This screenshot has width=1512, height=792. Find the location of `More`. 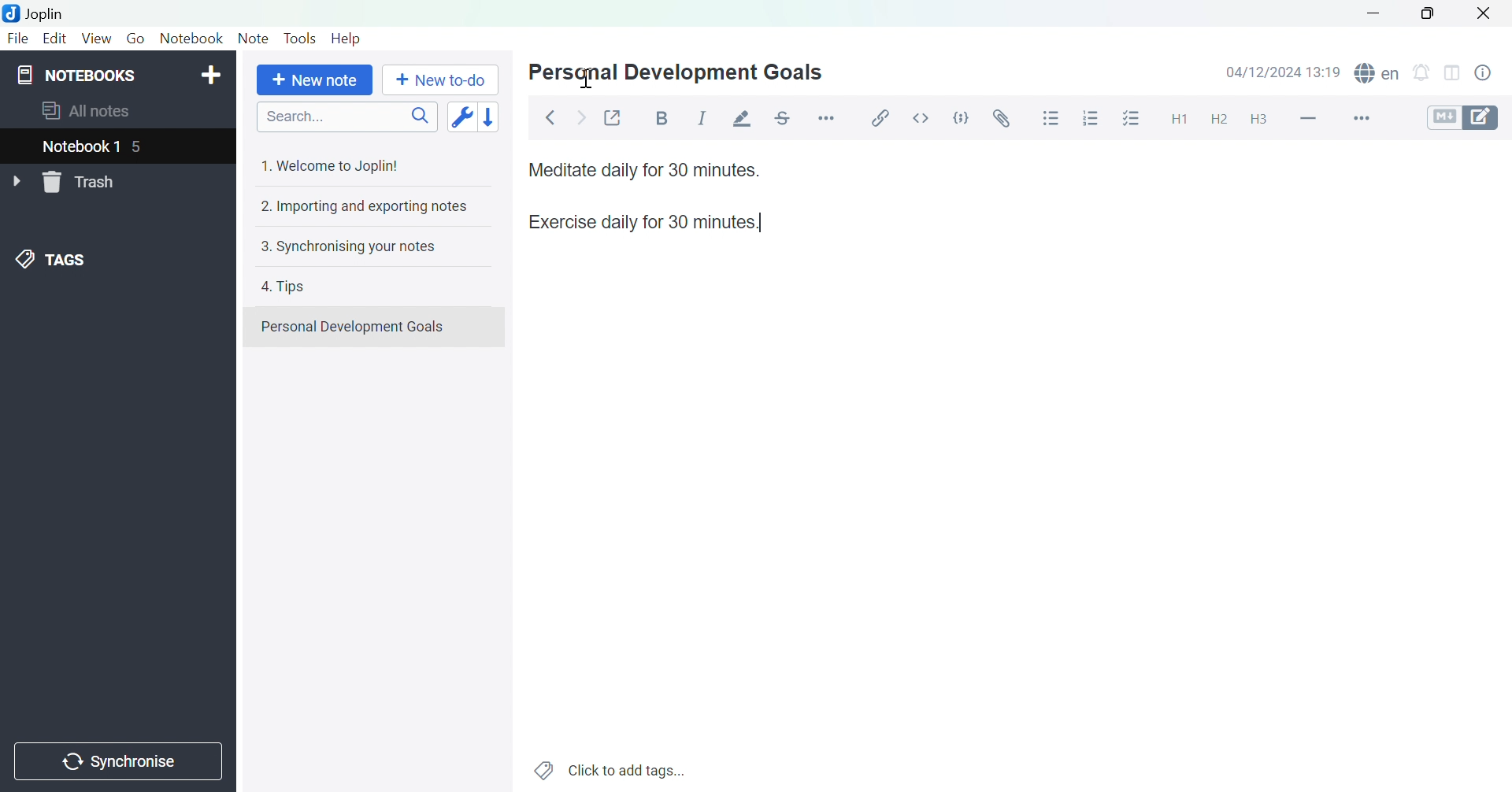

More is located at coordinates (1367, 118).